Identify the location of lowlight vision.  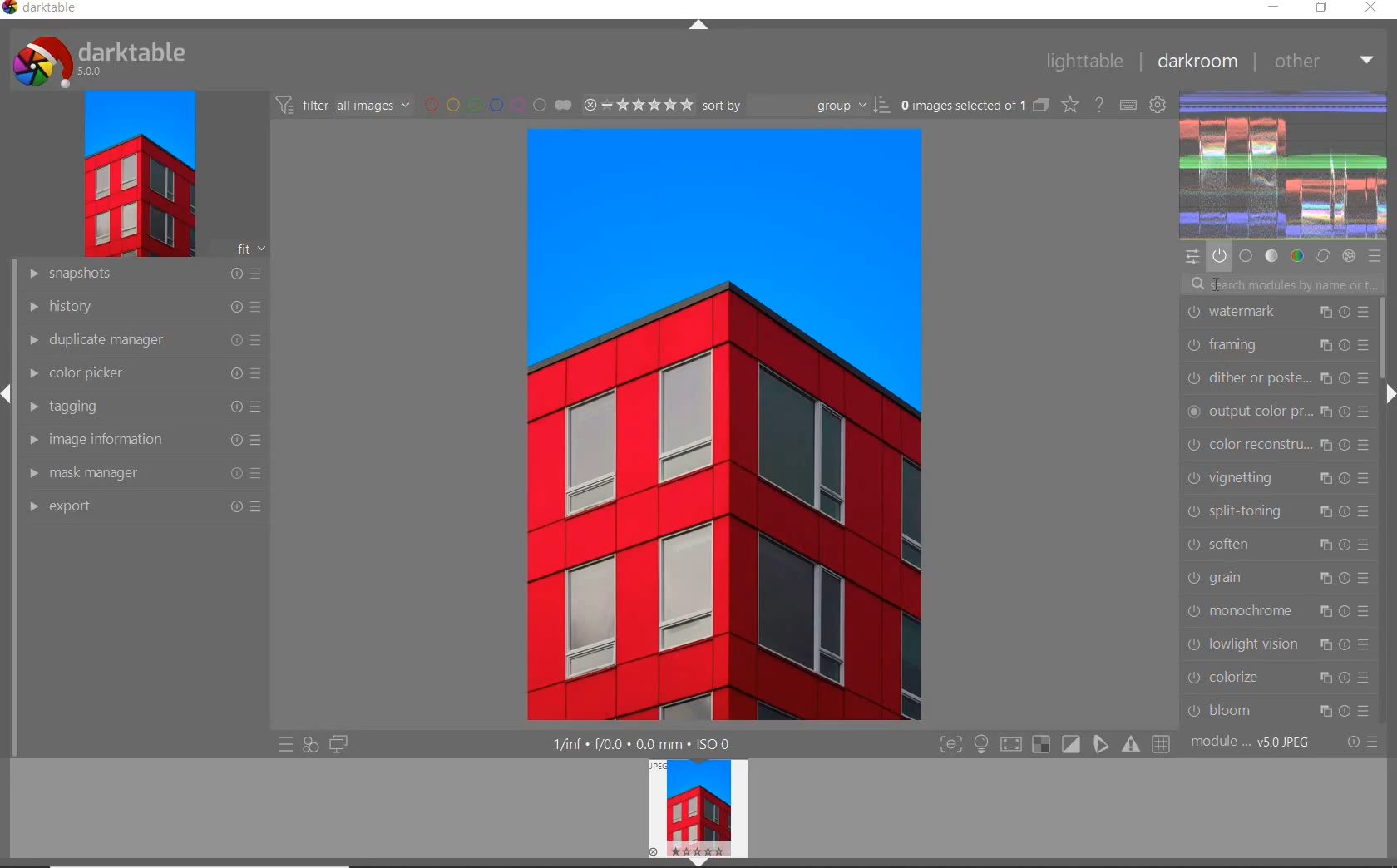
(1279, 644).